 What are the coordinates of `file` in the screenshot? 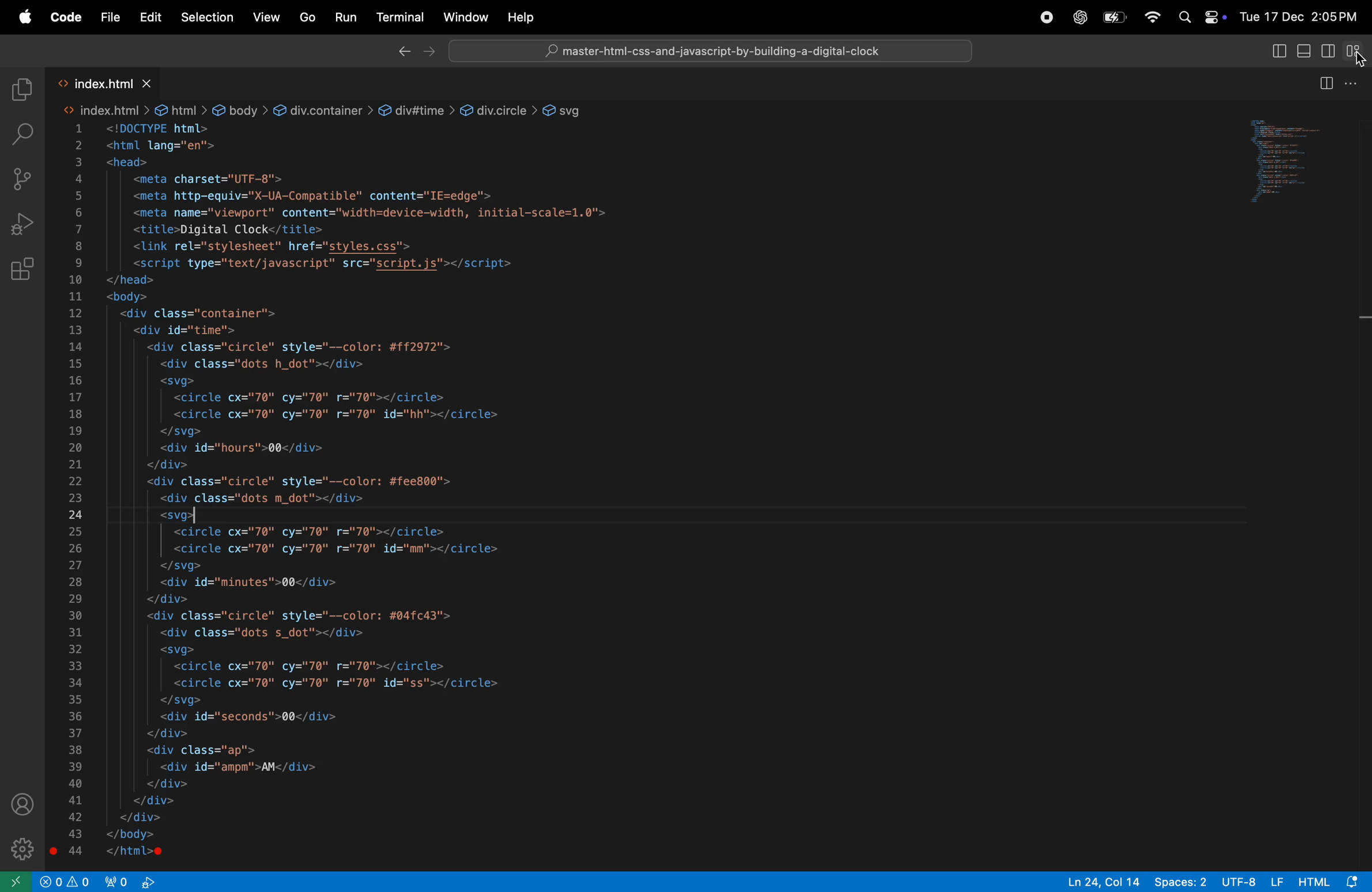 It's located at (111, 19).